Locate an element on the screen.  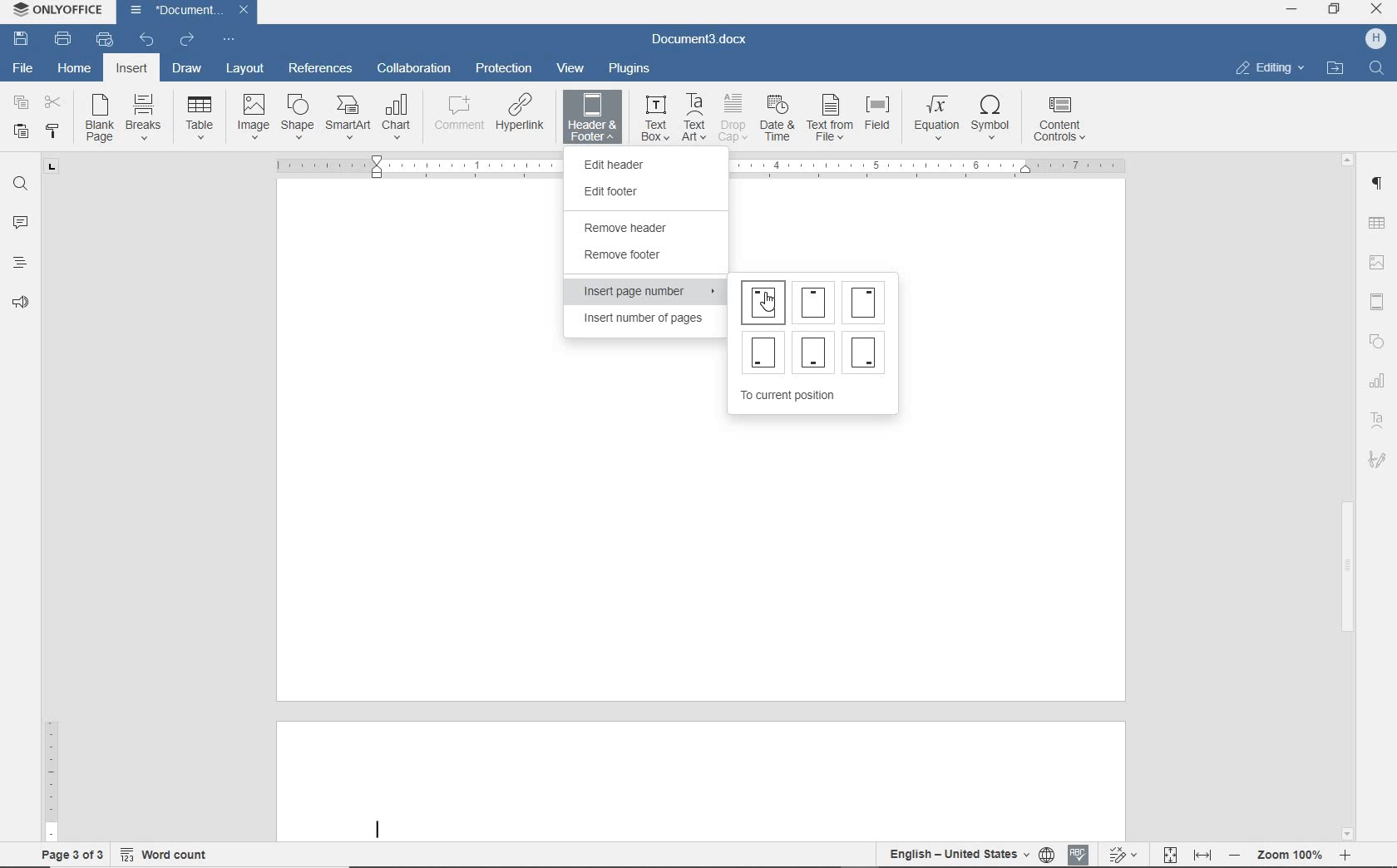
DOCUMENT is located at coordinates (191, 12).